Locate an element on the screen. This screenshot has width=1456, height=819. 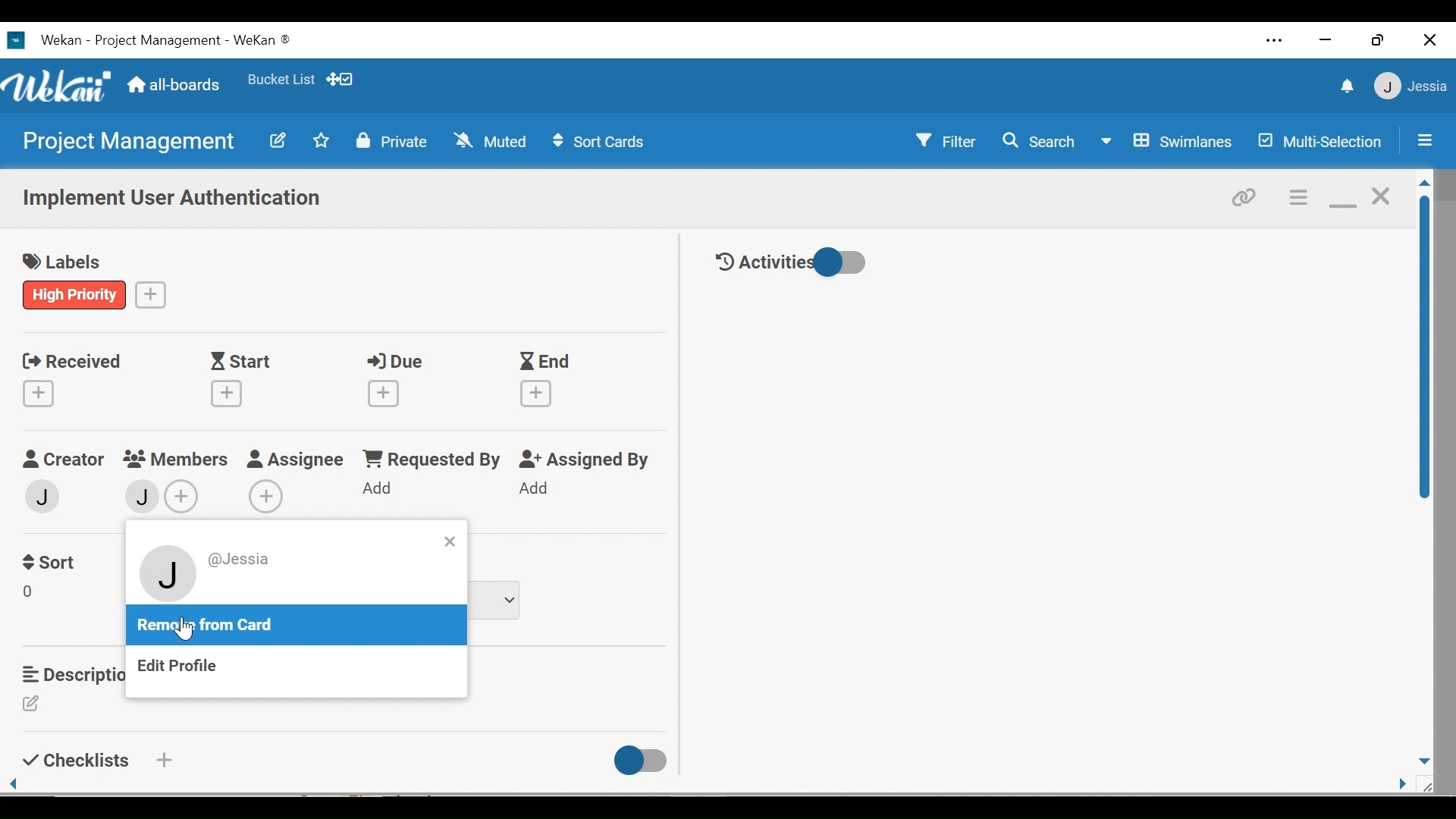
edit profile is located at coordinates (180, 668).